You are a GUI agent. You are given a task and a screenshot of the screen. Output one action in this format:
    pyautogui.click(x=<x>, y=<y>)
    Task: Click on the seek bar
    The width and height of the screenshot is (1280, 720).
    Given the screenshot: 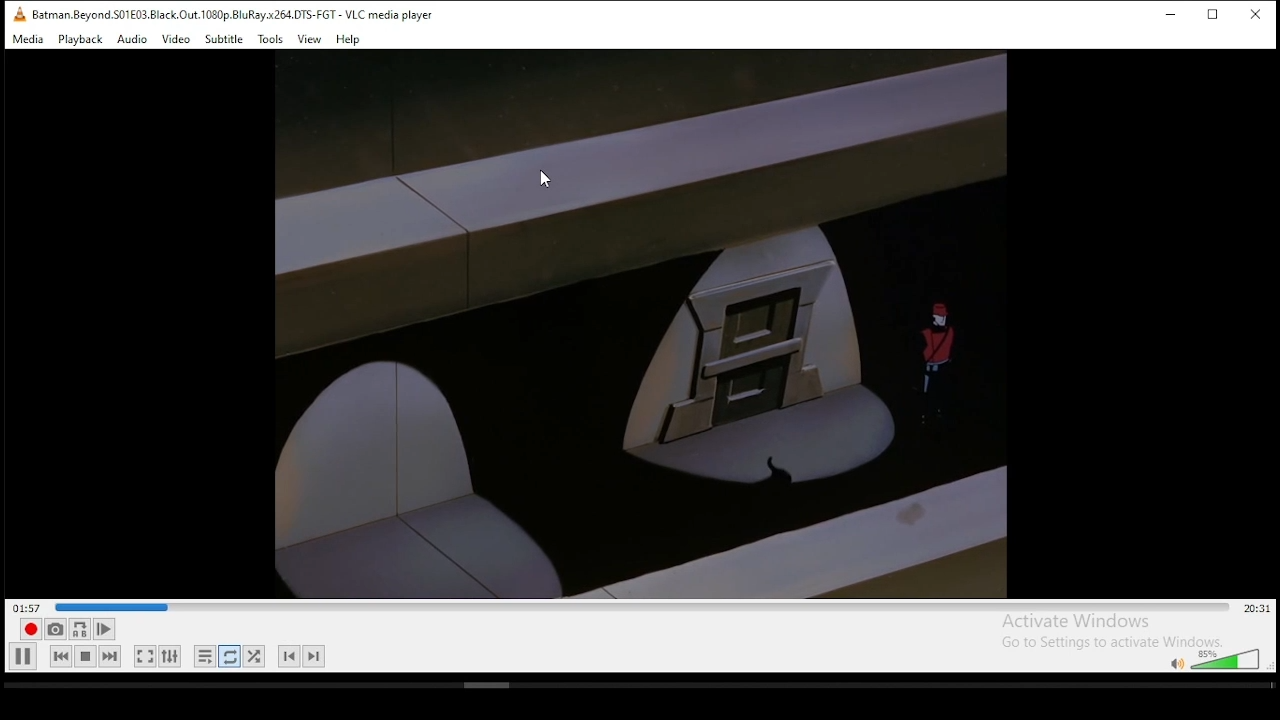 What is the action you would take?
    pyautogui.click(x=642, y=606)
    